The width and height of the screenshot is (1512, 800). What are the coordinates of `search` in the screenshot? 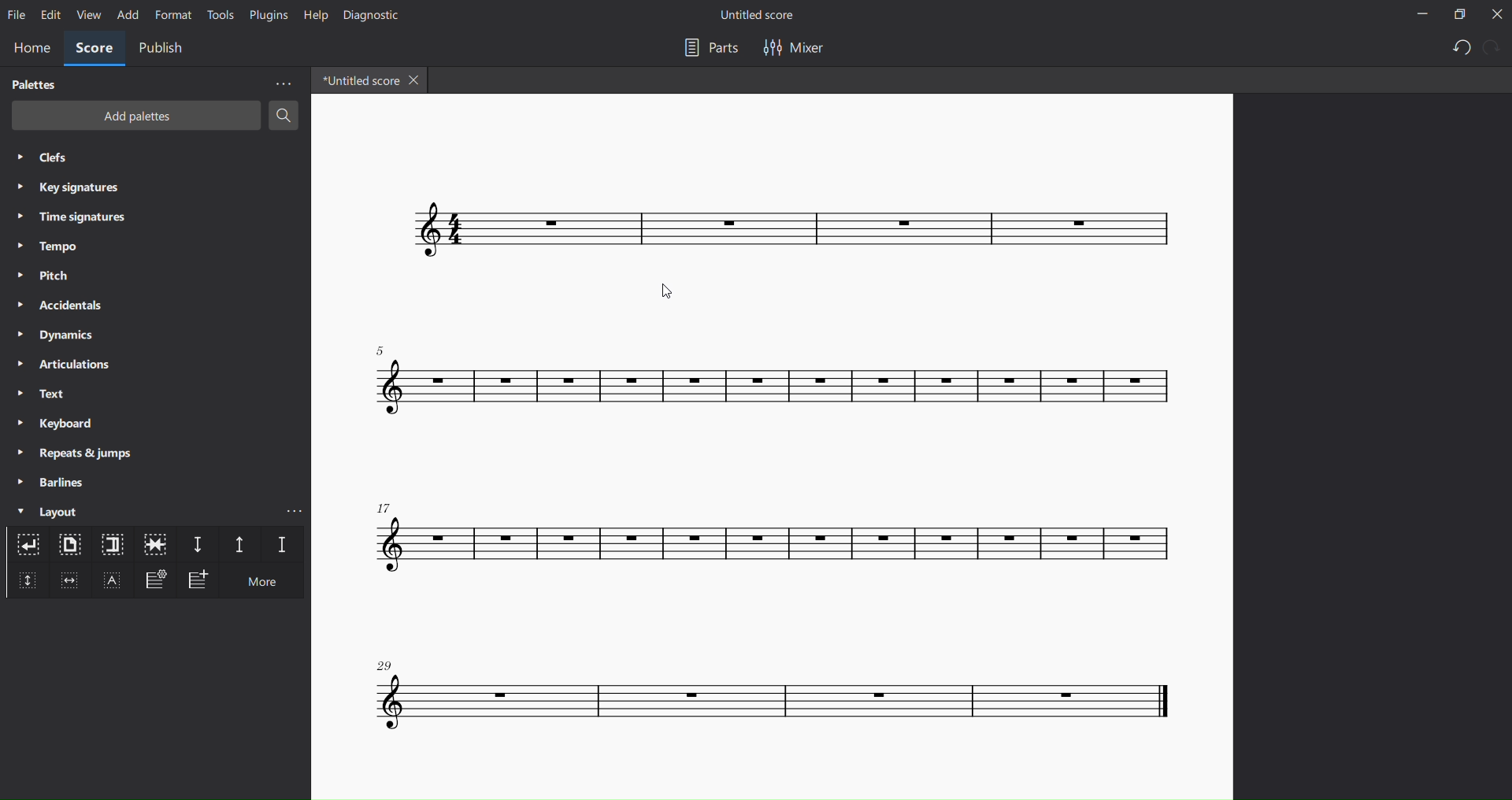 It's located at (285, 118).